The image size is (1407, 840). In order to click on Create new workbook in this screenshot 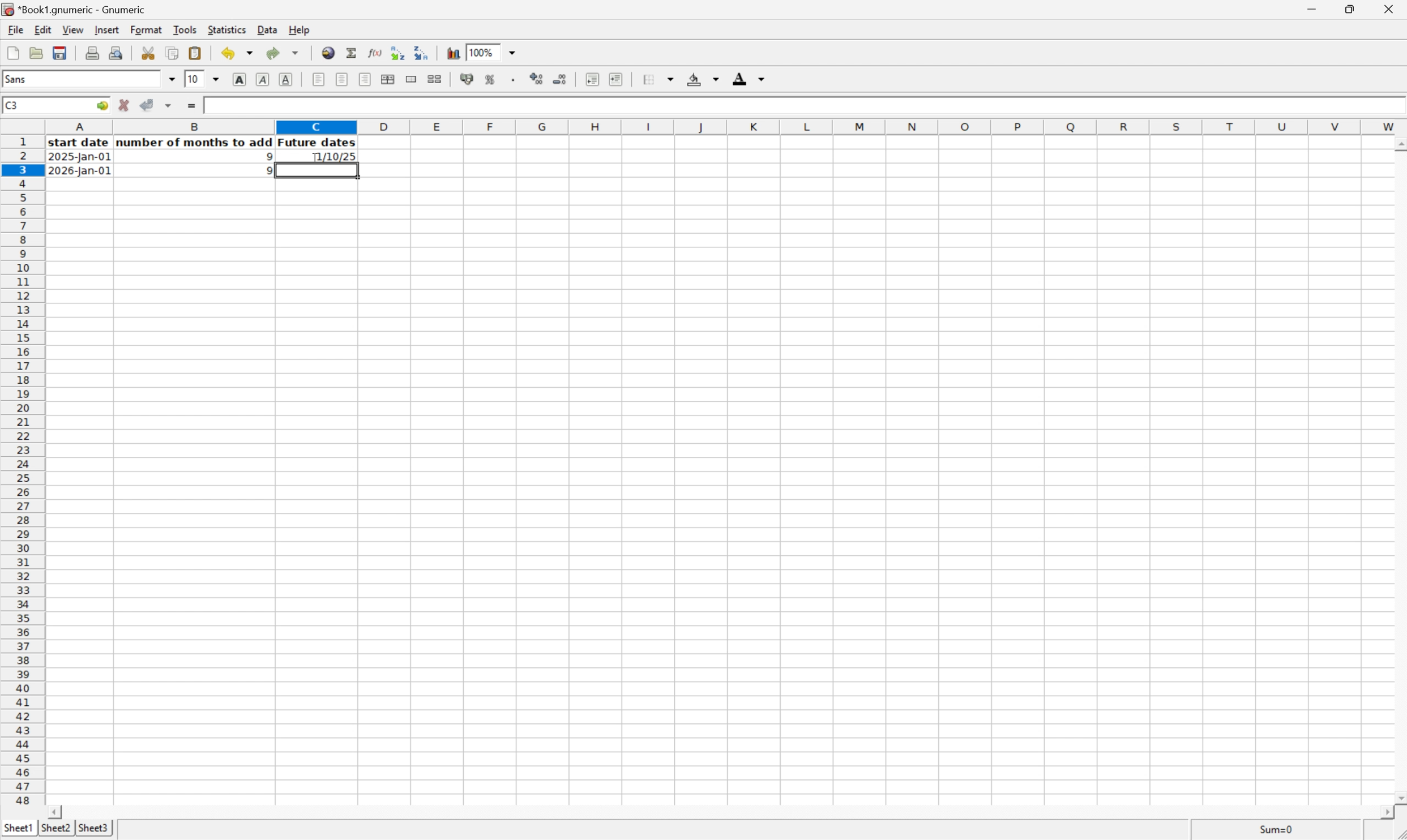, I will do `click(12, 53)`.